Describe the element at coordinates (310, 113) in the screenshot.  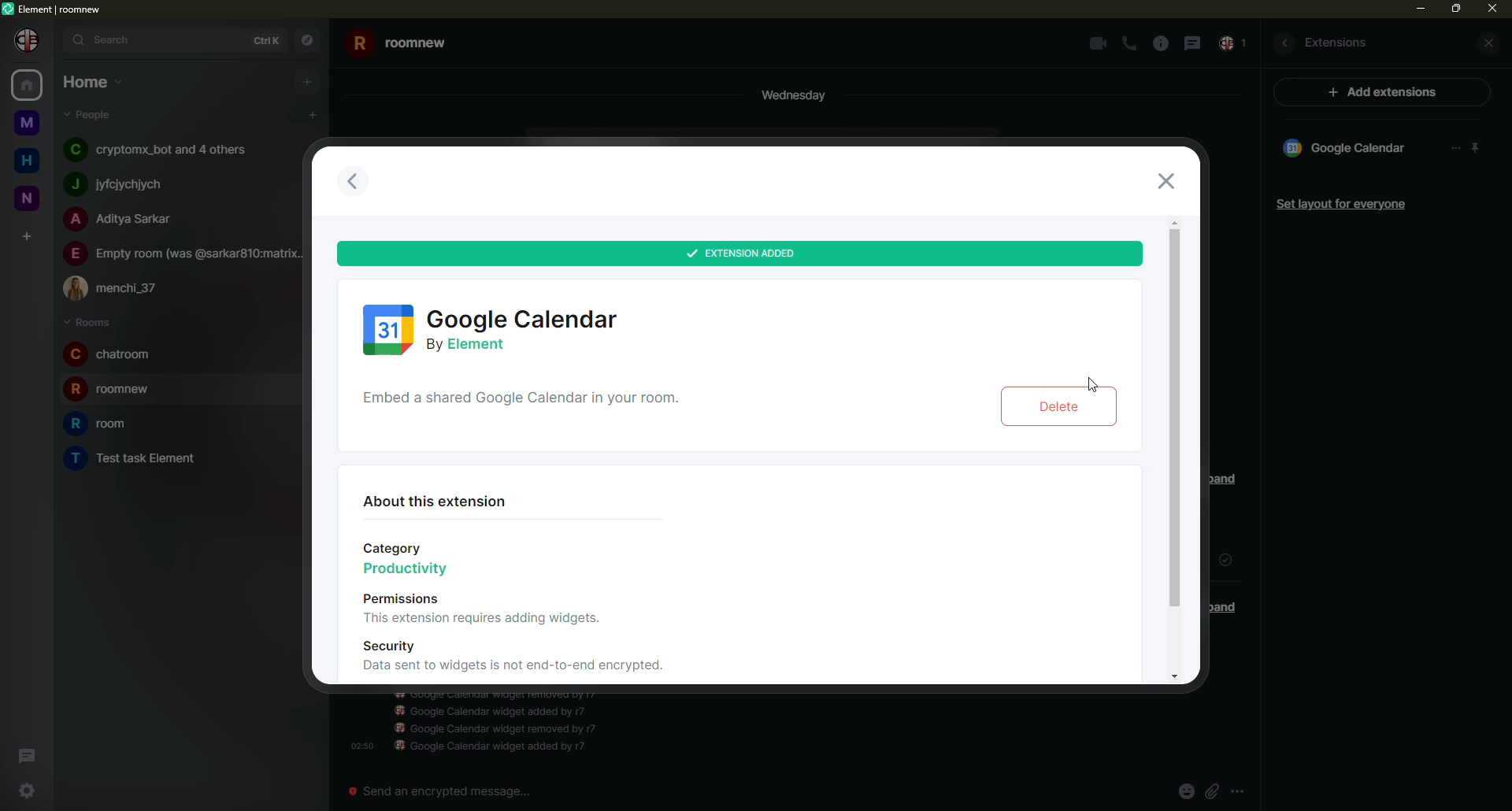
I see `add` at that location.